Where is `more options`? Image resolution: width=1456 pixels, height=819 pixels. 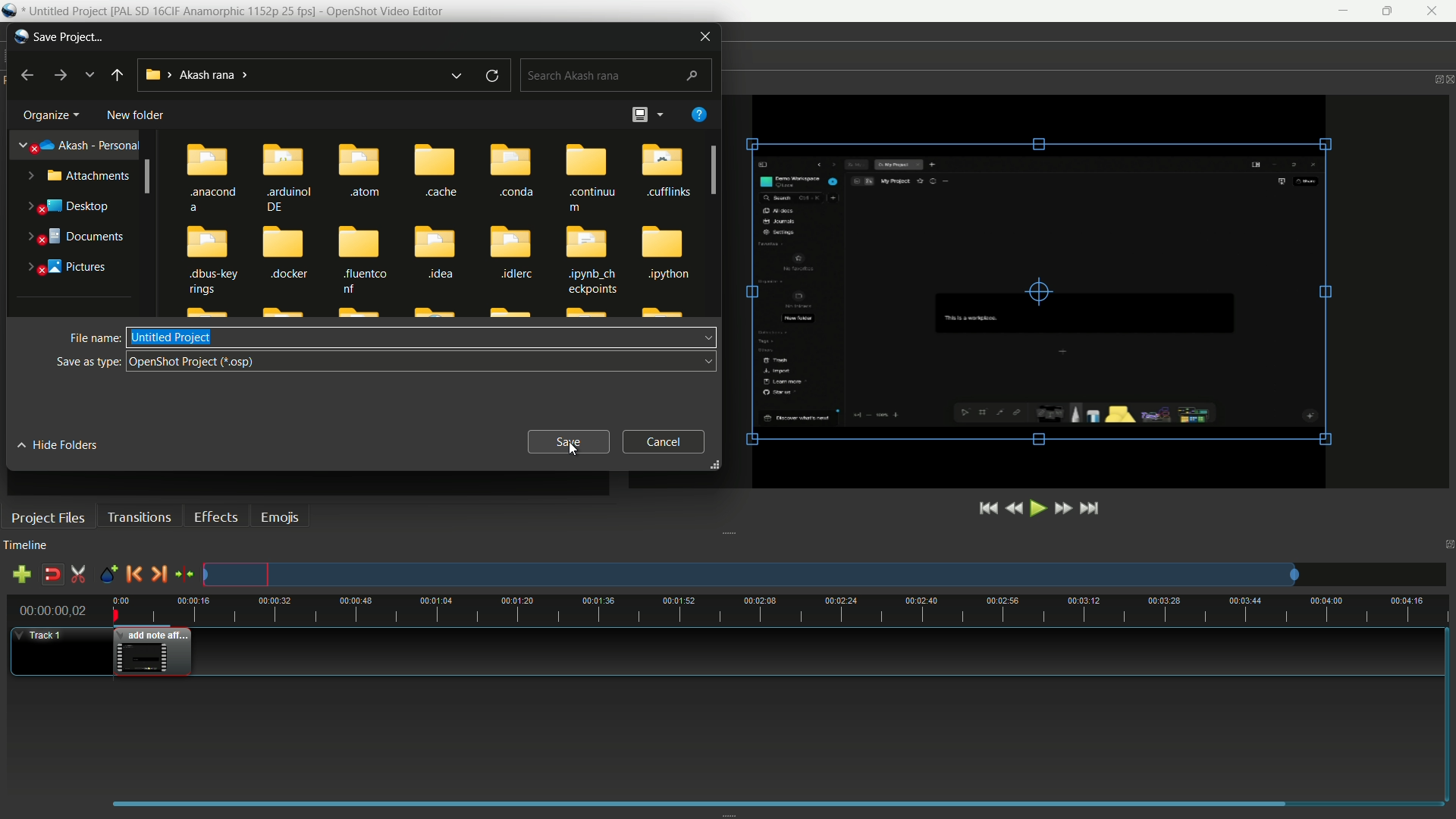 more options is located at coordinates (663, 117).